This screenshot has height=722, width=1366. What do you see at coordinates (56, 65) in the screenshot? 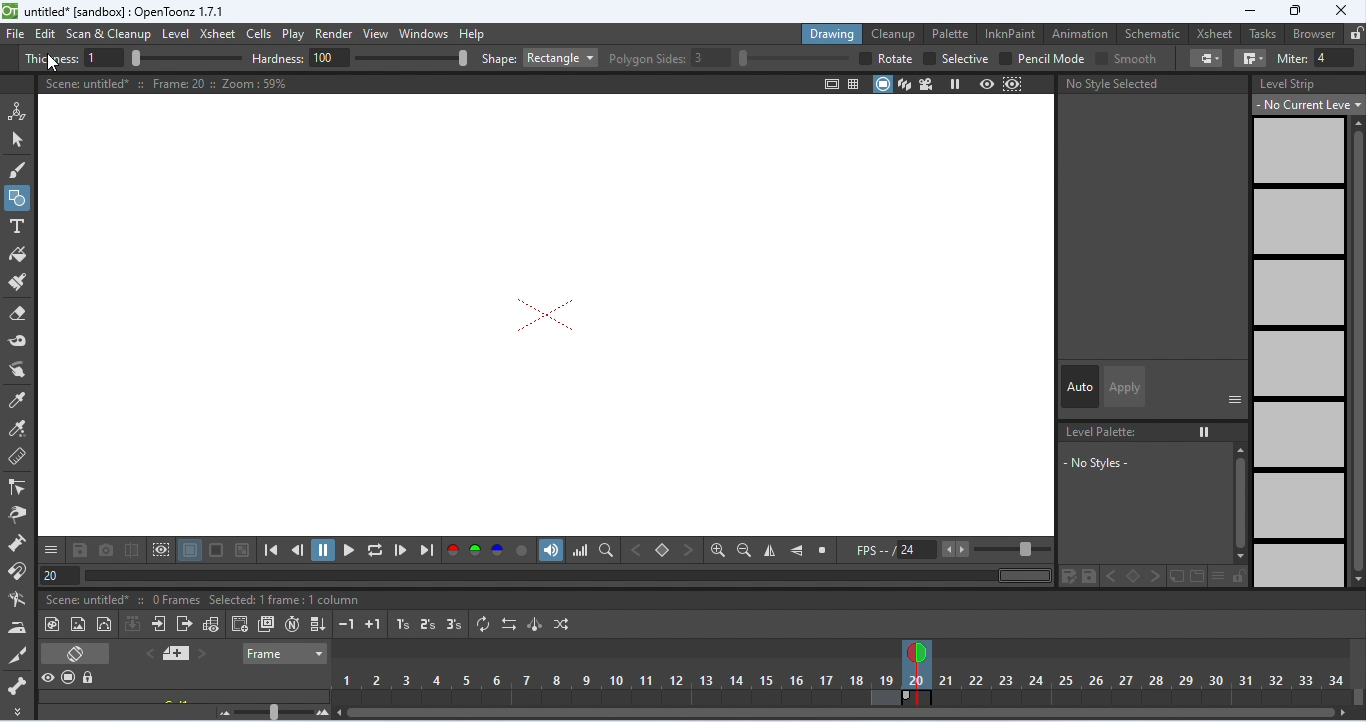
I see `cursor movement` at bounding box center [56, 65].